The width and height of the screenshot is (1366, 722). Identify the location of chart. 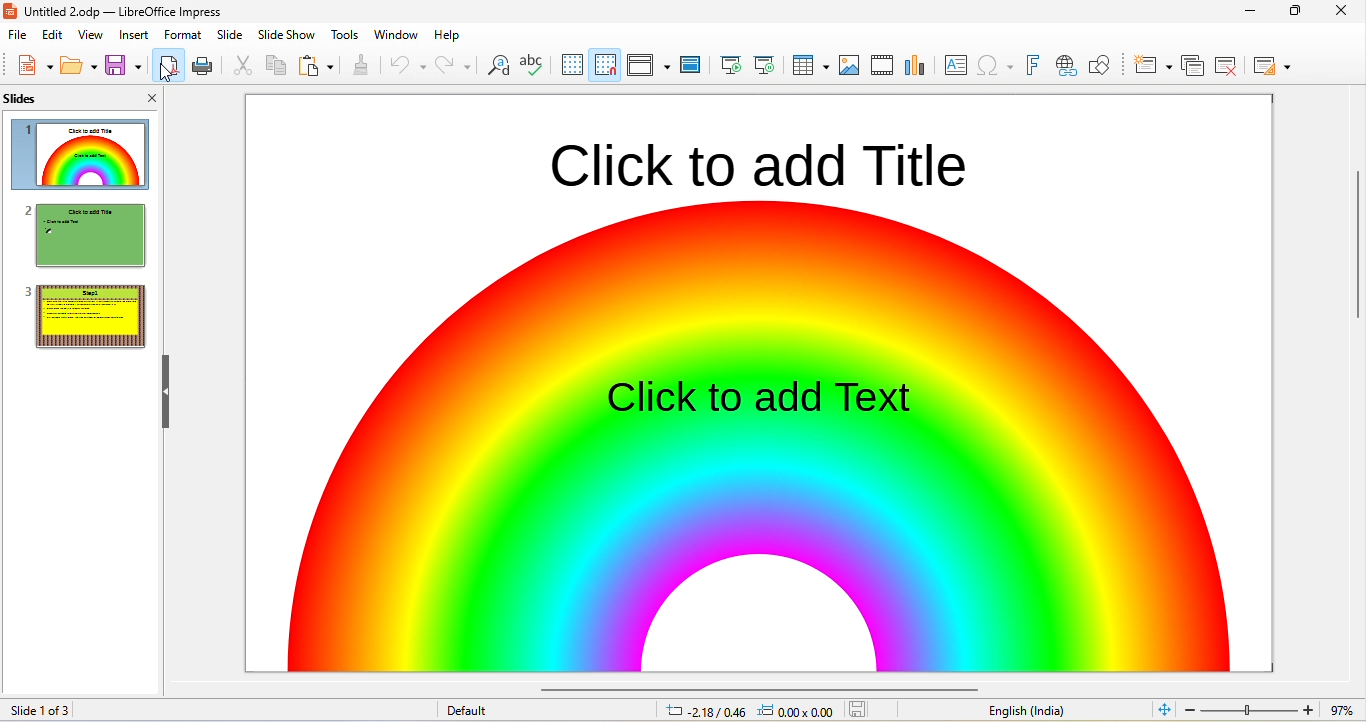
(915, 66).